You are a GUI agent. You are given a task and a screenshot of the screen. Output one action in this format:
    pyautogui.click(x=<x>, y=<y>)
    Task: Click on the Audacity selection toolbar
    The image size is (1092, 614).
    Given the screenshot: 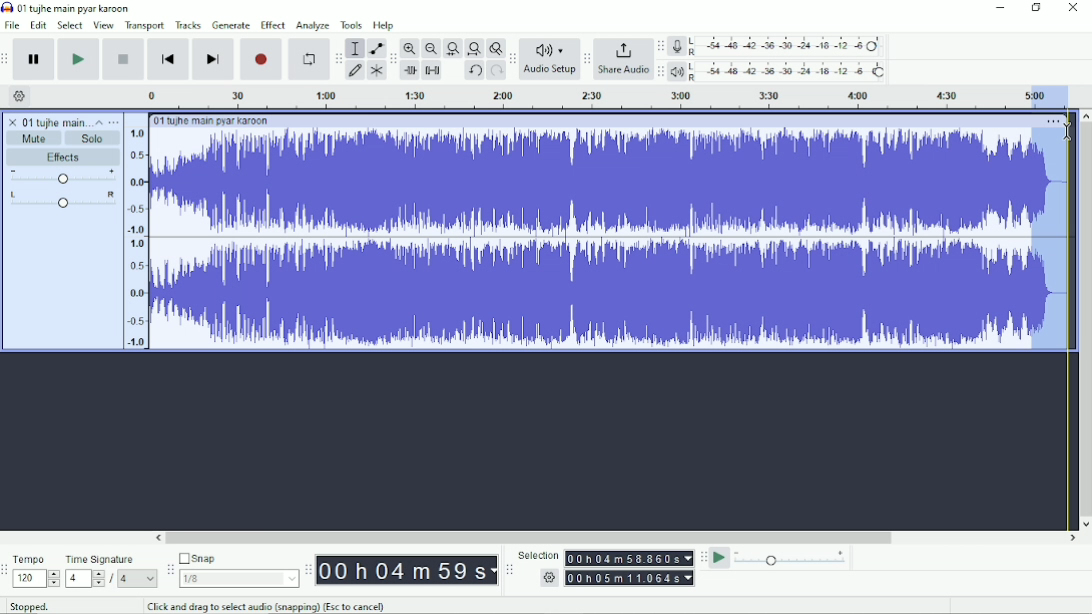 What is the action you would take?
    pyautogui.click(x=509, y=569)
    